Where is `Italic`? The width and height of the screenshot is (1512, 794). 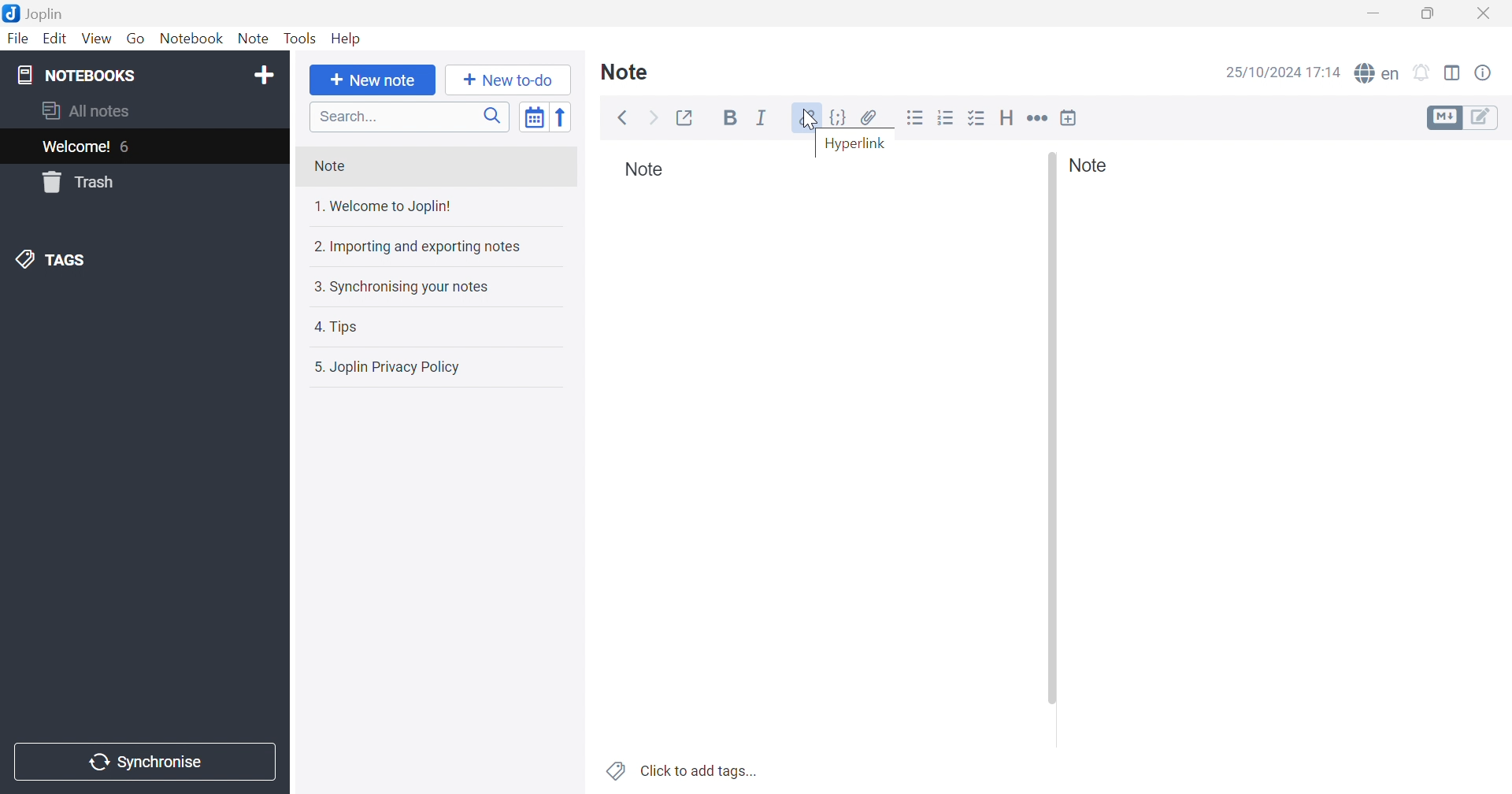
Italic is located at coordinates (762, 116).